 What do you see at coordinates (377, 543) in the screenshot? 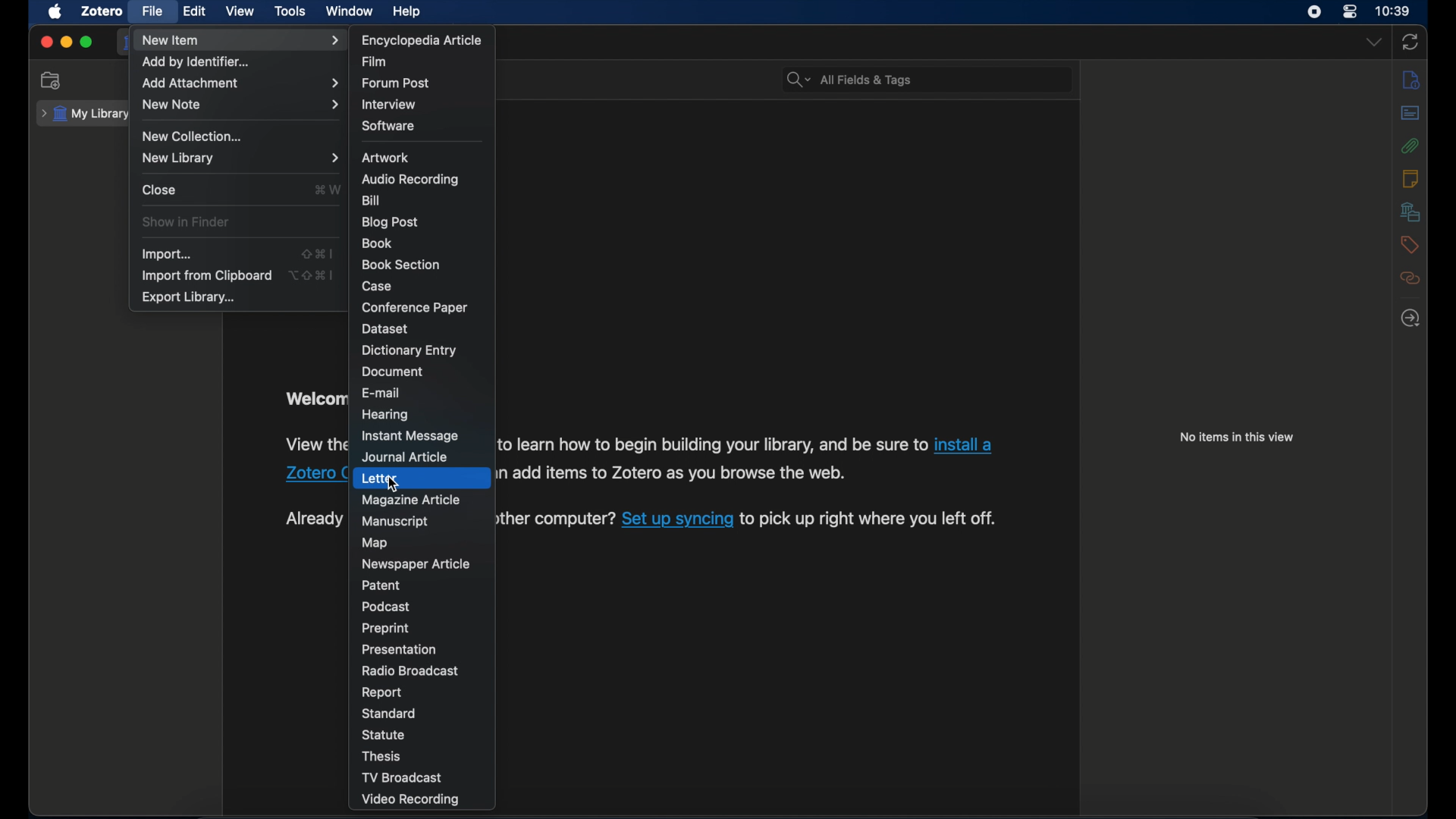
I see `map` at bounding box center [377, 543].